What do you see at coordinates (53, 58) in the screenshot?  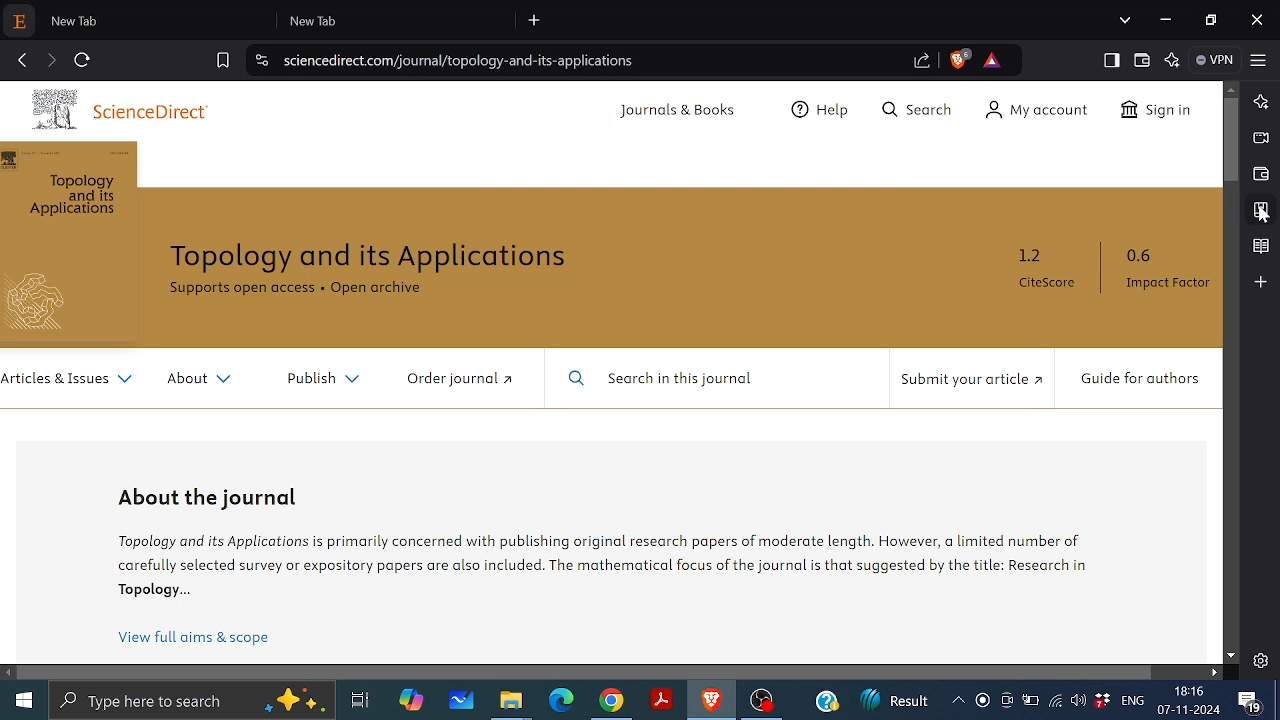 I see `Go to next page` at bounding box center [53, 58].